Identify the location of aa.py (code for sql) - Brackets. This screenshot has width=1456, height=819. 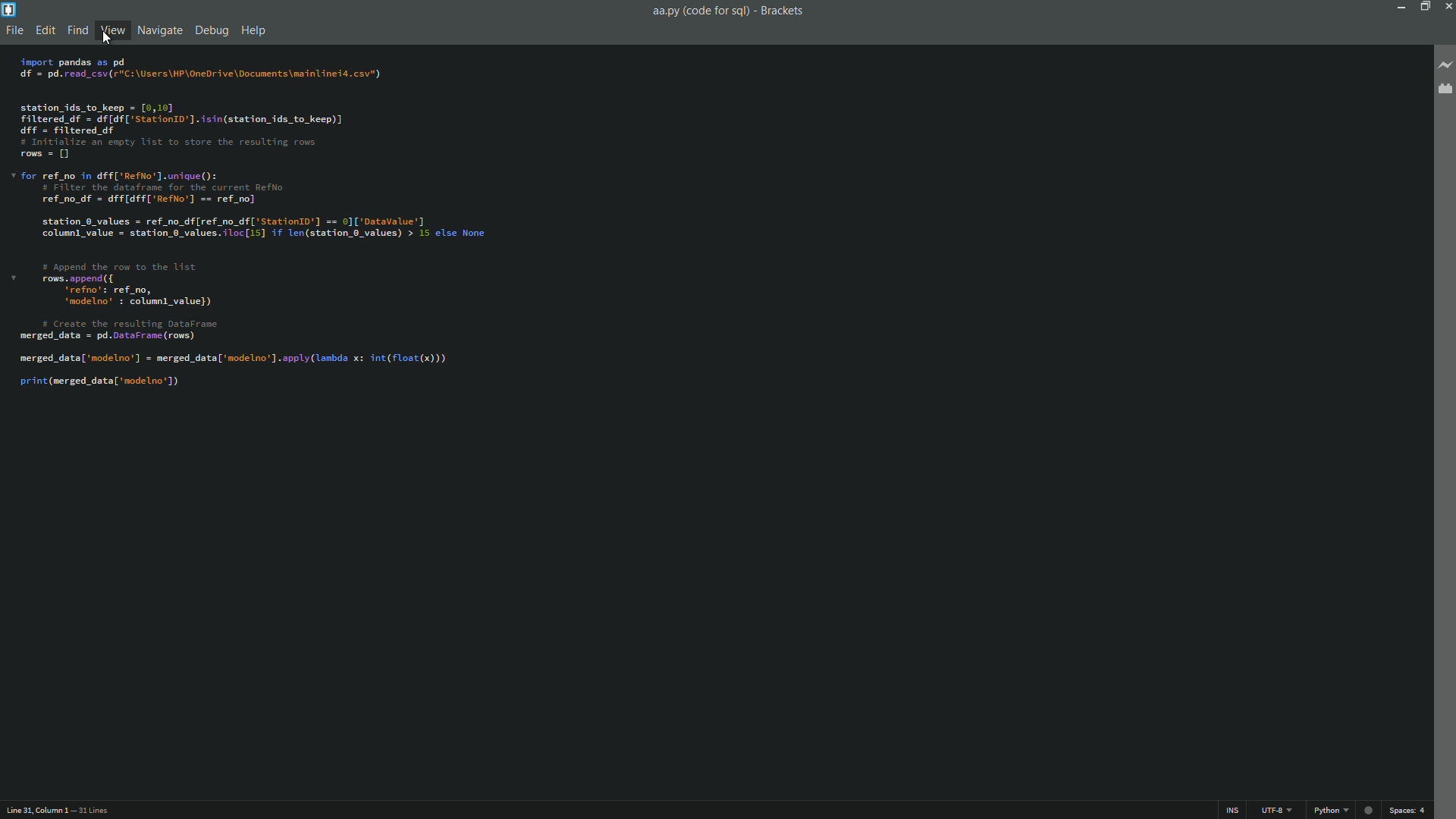
(736, 14).